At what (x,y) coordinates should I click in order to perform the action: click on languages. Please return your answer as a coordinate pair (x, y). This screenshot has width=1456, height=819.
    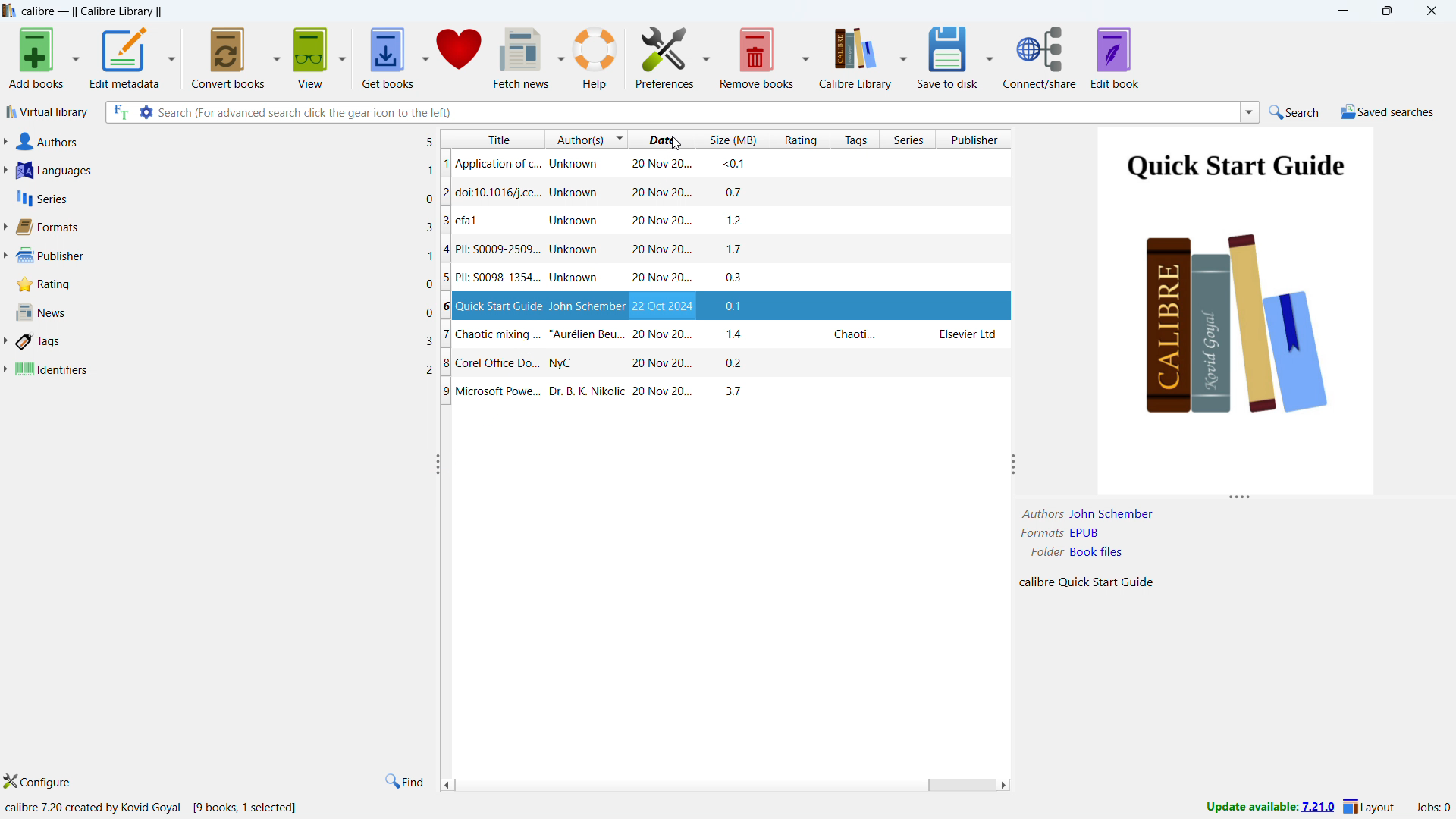
    Looking at the image, I should click on (224, 171).